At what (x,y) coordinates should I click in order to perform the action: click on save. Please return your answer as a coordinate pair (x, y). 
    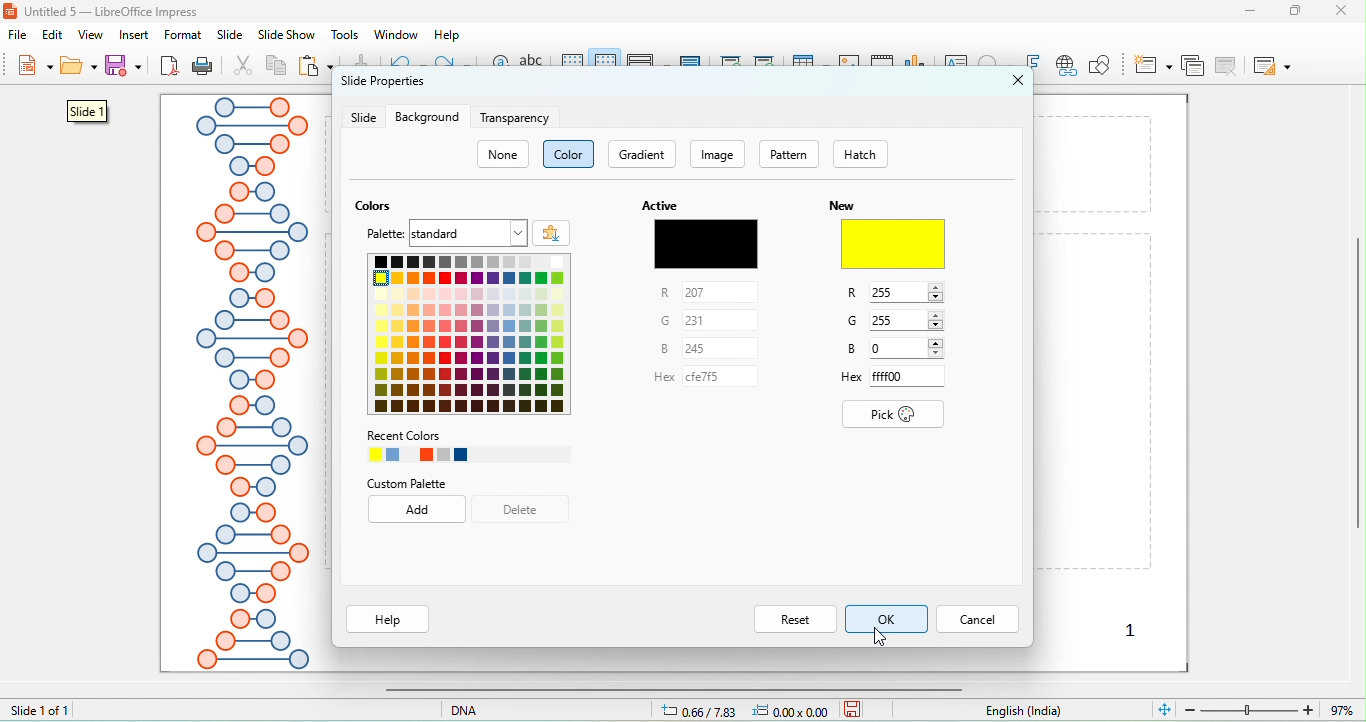
    Looking at the image, I should click on (853, 708).